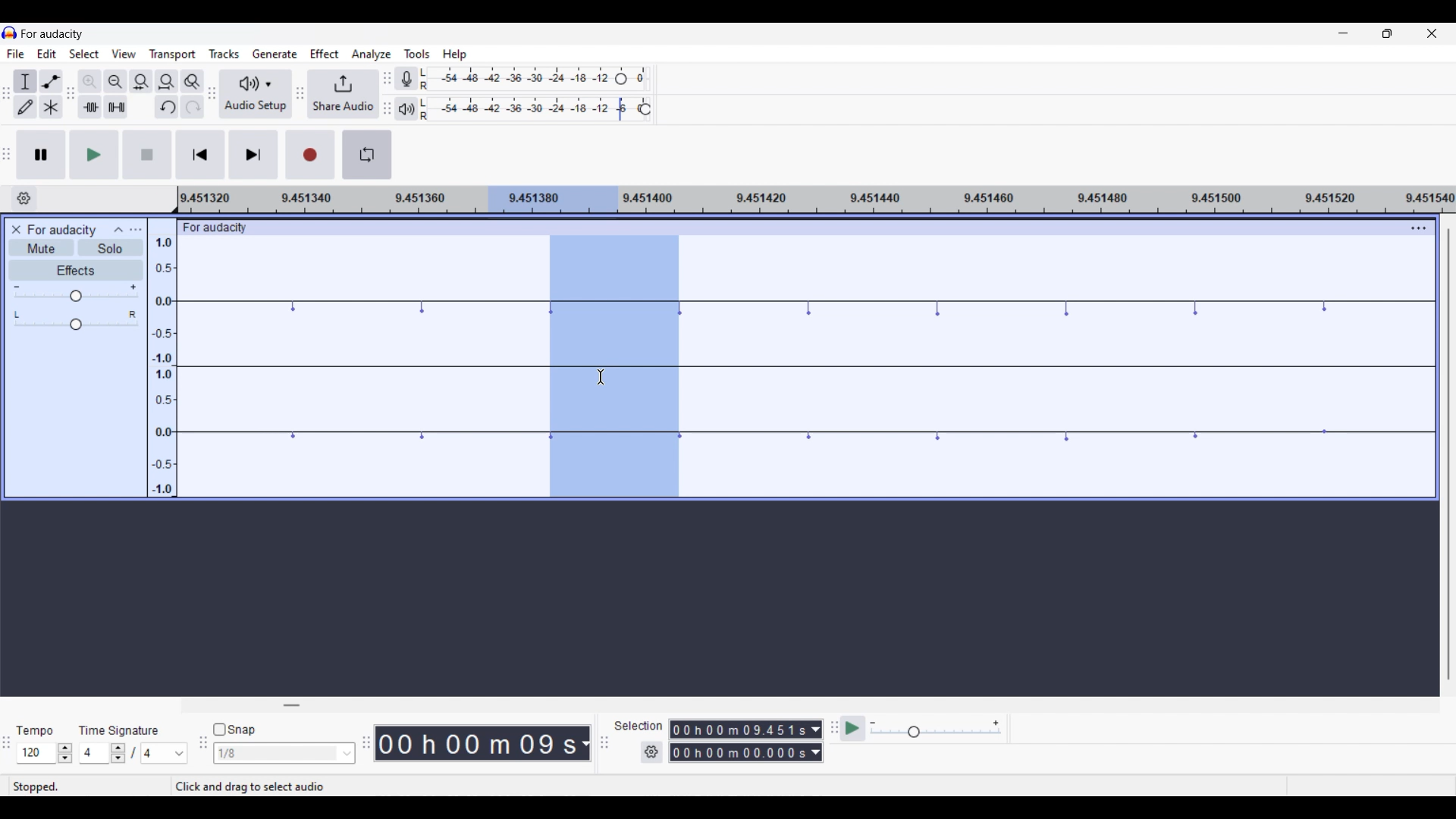 Image resolution: width=1456 pixels, height=819 pixels. Describe the element at coordinates (615, 366) in the screenshot. I see `Current selection on teack highlighted` at that location.